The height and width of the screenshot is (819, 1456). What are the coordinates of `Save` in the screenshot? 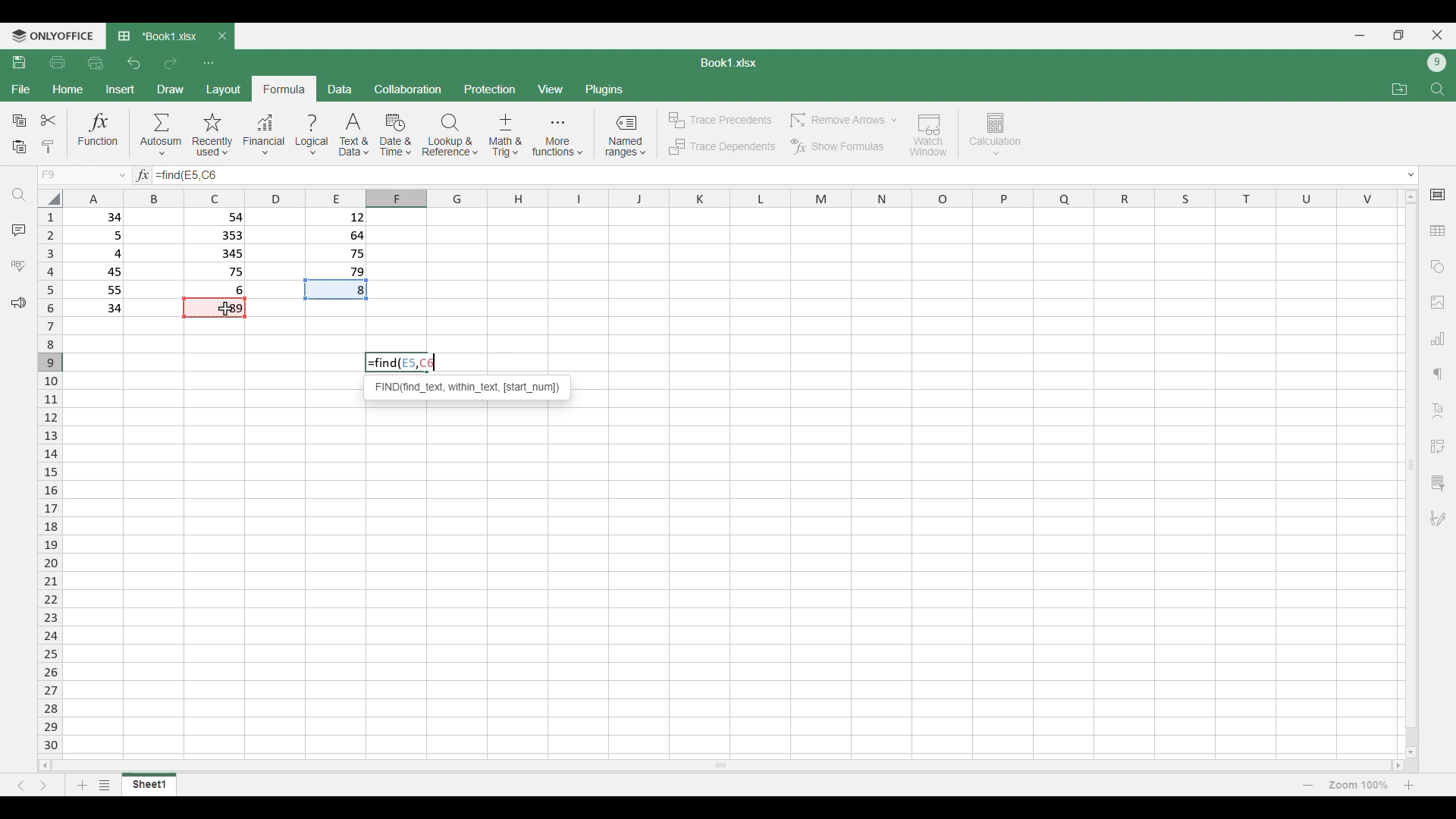 It's located at (20, 62).